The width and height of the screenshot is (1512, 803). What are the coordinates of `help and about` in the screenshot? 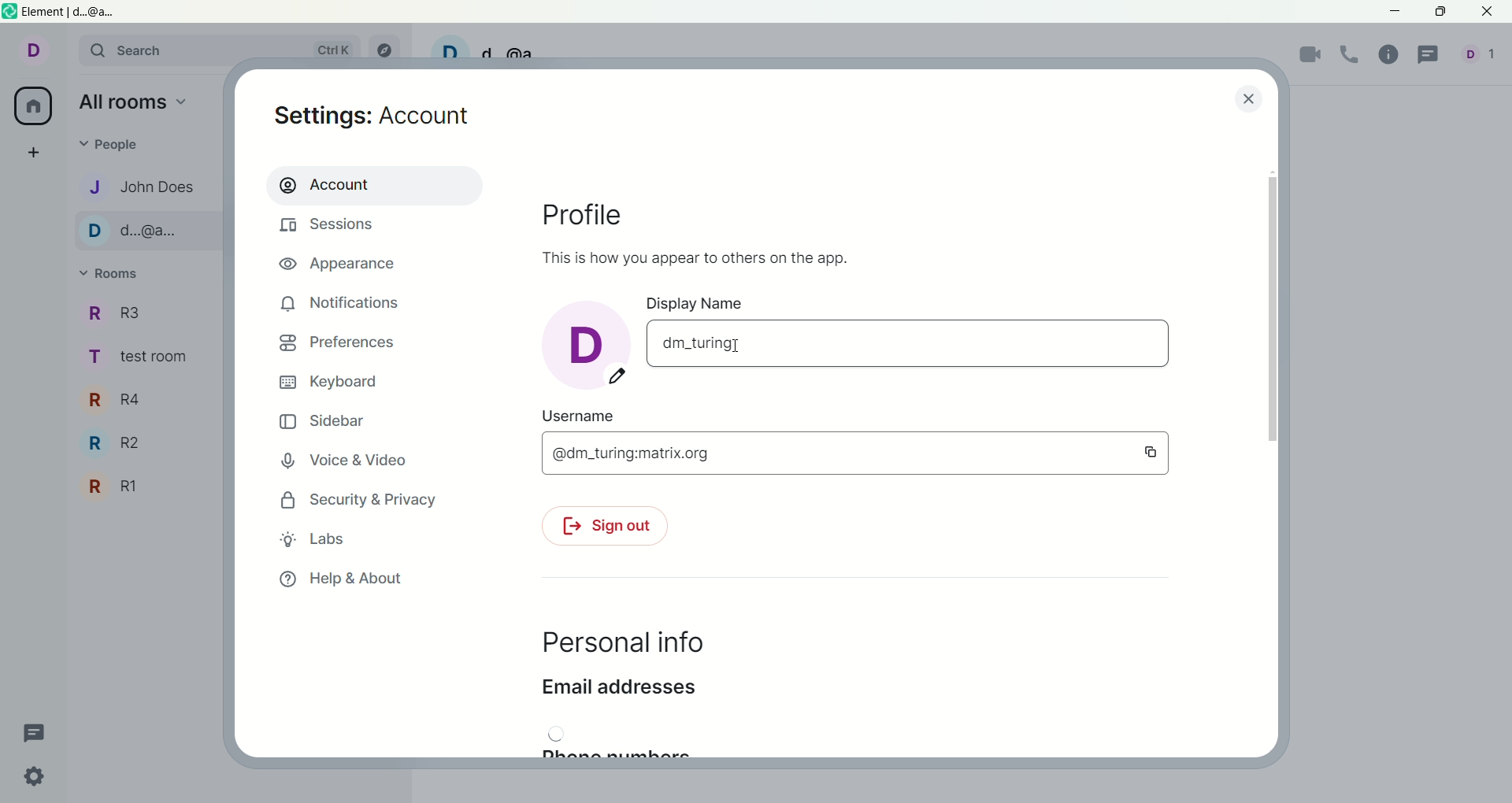 It's located at (341, 580).